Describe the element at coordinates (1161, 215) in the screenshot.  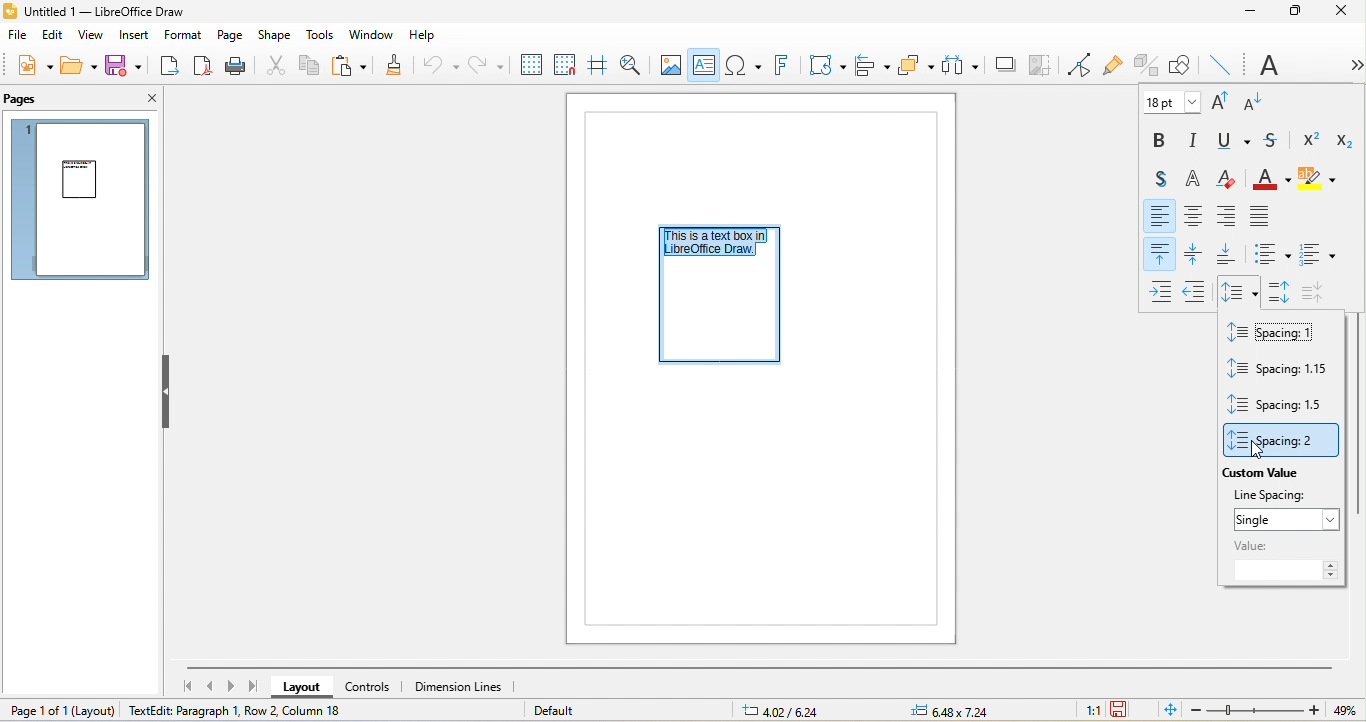
I see `align left` at that location.